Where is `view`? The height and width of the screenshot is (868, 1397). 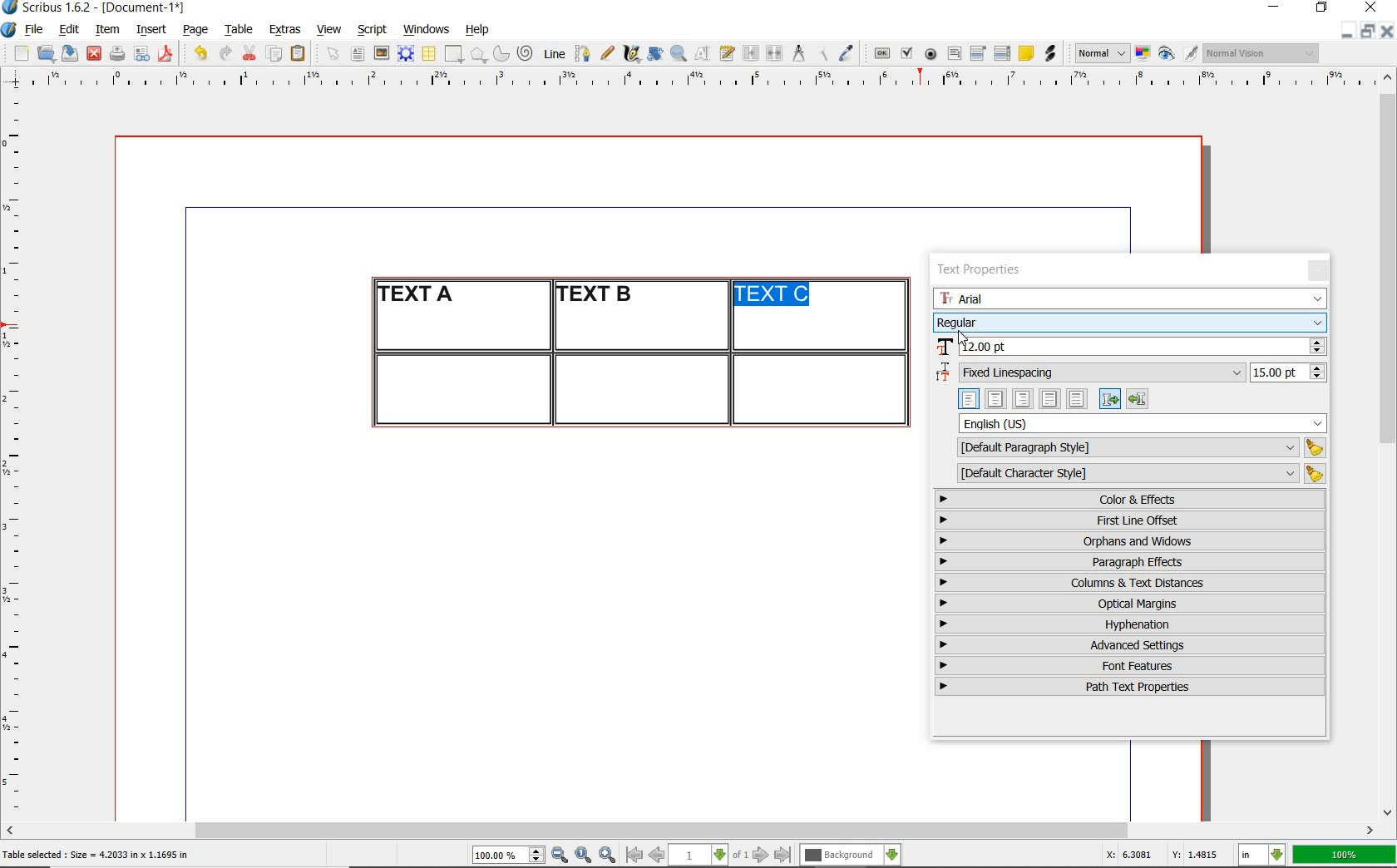
view is located at coordinates (329, 29).